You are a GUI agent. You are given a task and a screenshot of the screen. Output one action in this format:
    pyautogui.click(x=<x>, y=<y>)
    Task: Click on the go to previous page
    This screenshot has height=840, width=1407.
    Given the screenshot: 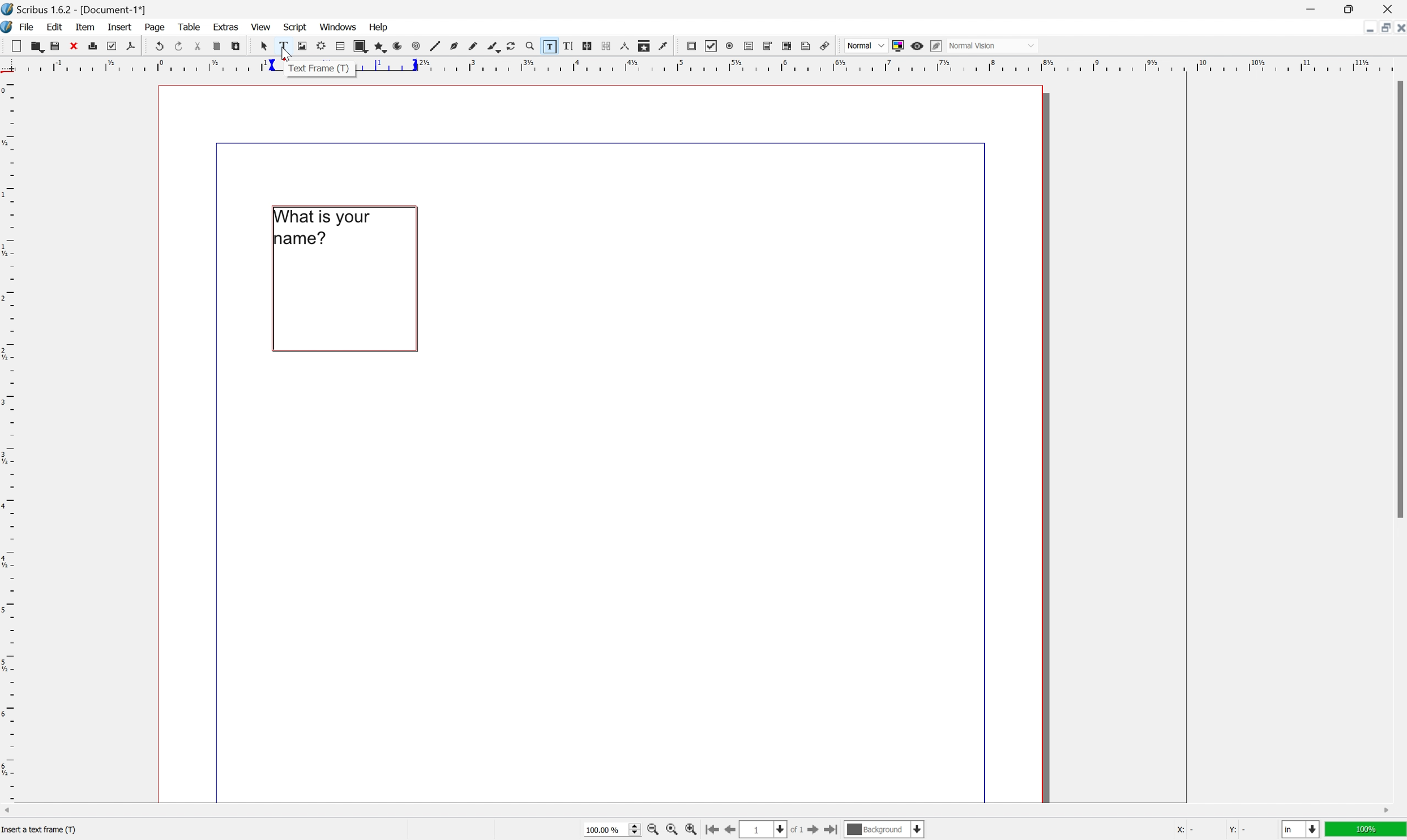 What is the action you would take?
    pyautogui.click(x=728, y=831)
    